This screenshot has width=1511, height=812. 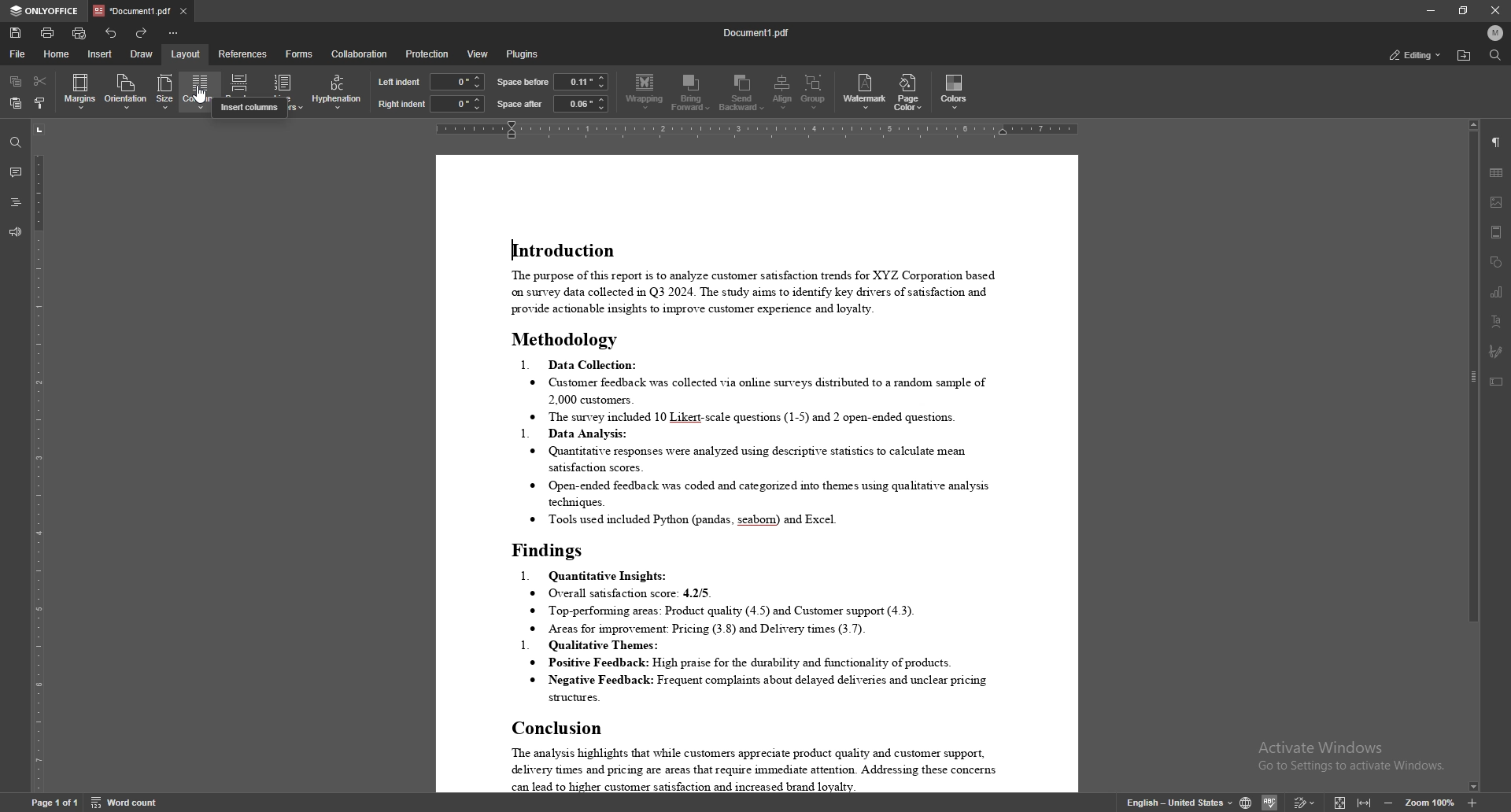 I want to click on line numbers, so click(x=283, y=92).